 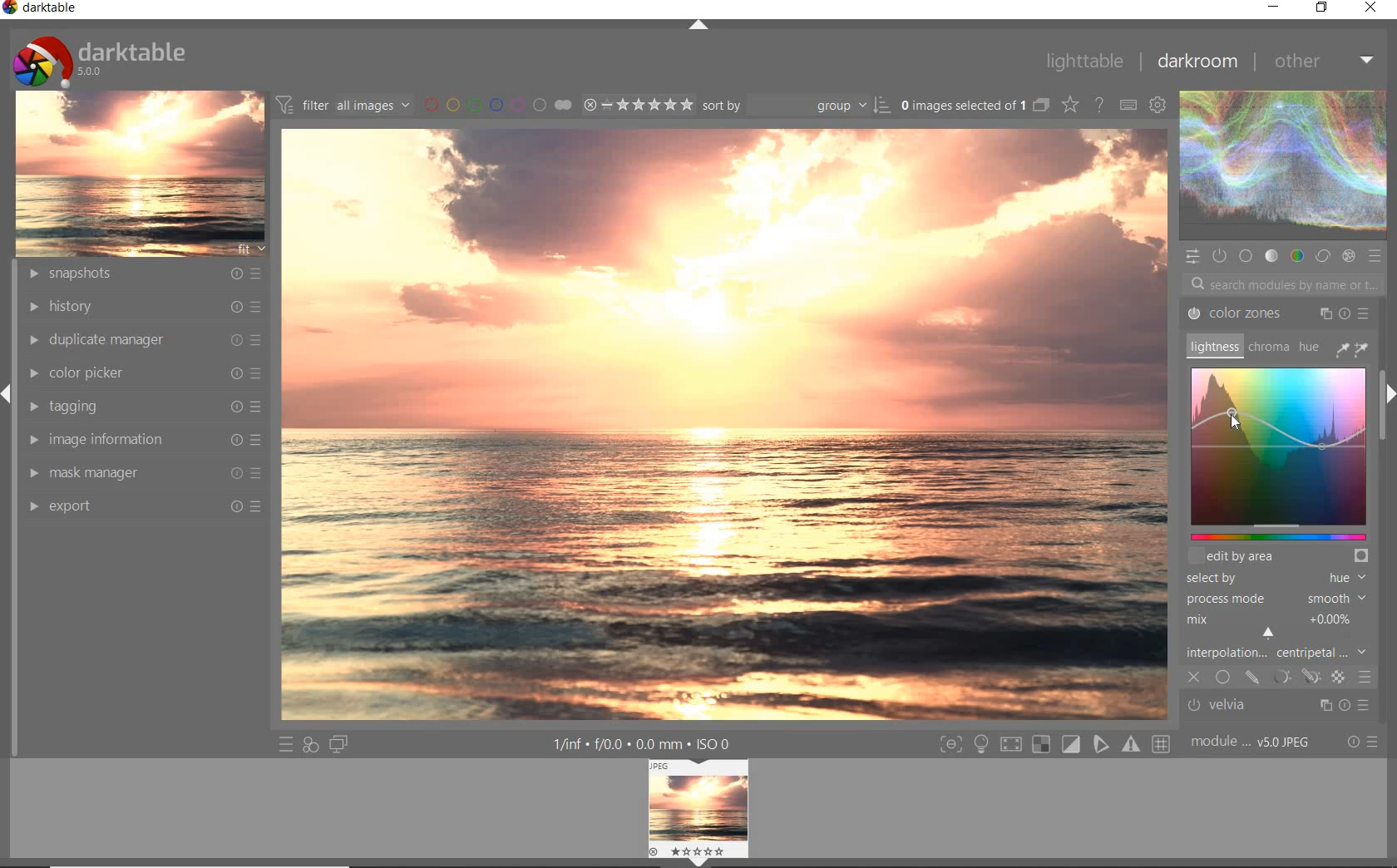 I want to click on EFFECT, so click(x=1348, y=257).